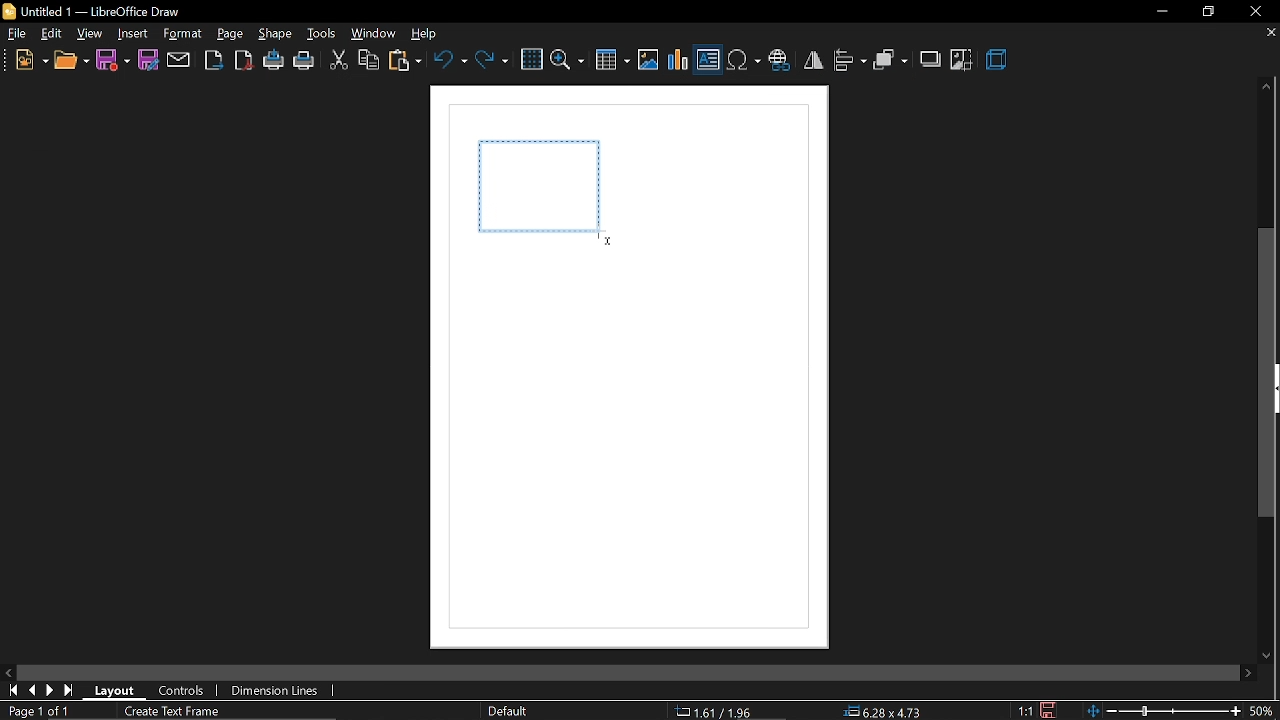 Image resolution: width=1280 pixels, height=720 pixels. Describe the element at coordinates (148, 60) in the screenshot. I see `save as` at that location.